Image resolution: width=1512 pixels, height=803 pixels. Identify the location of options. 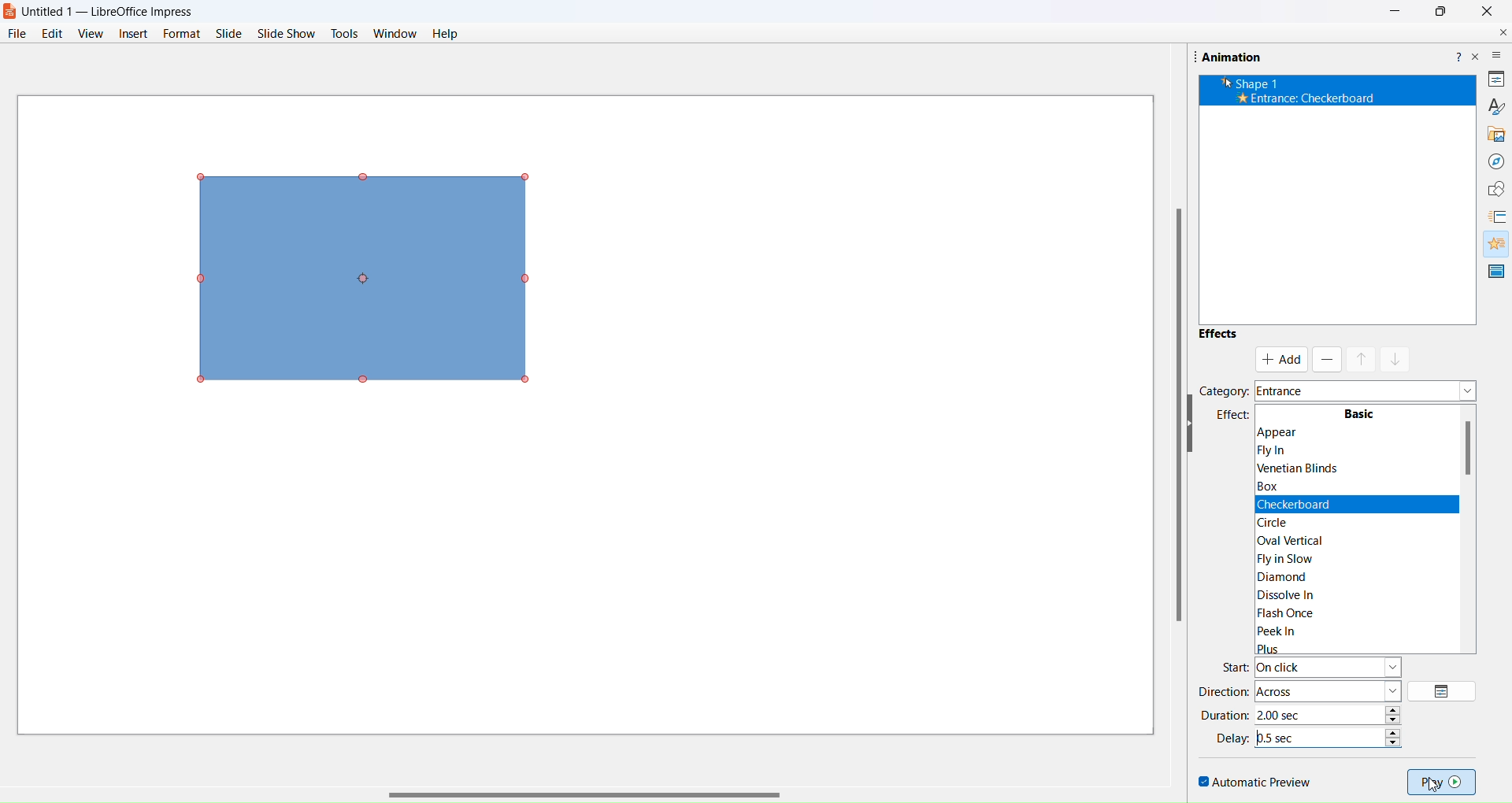
(1444, 691).